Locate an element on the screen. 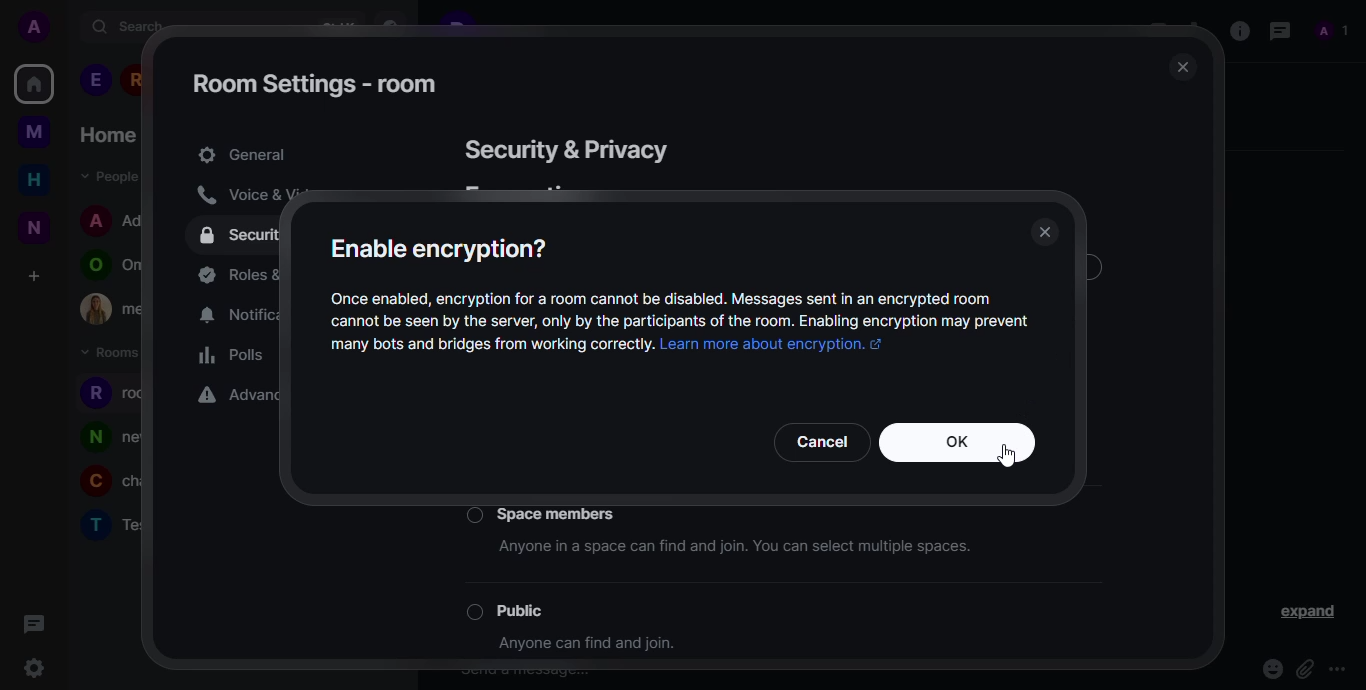 This screenshot has width=1366, height=690. emoji is located at coordinates (1271, 667).